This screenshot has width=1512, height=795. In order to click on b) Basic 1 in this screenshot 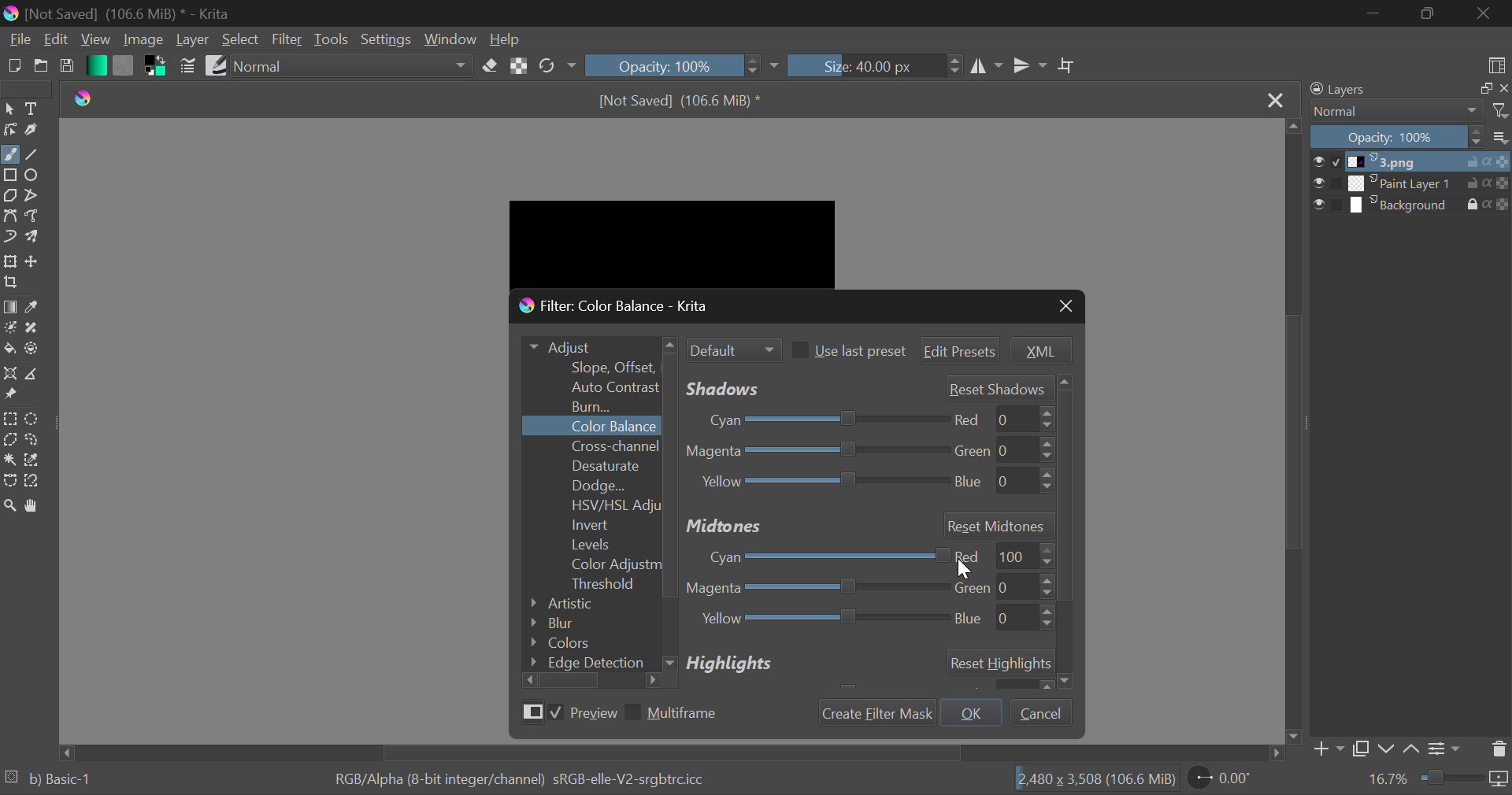, I will do `click(67, 782)`.